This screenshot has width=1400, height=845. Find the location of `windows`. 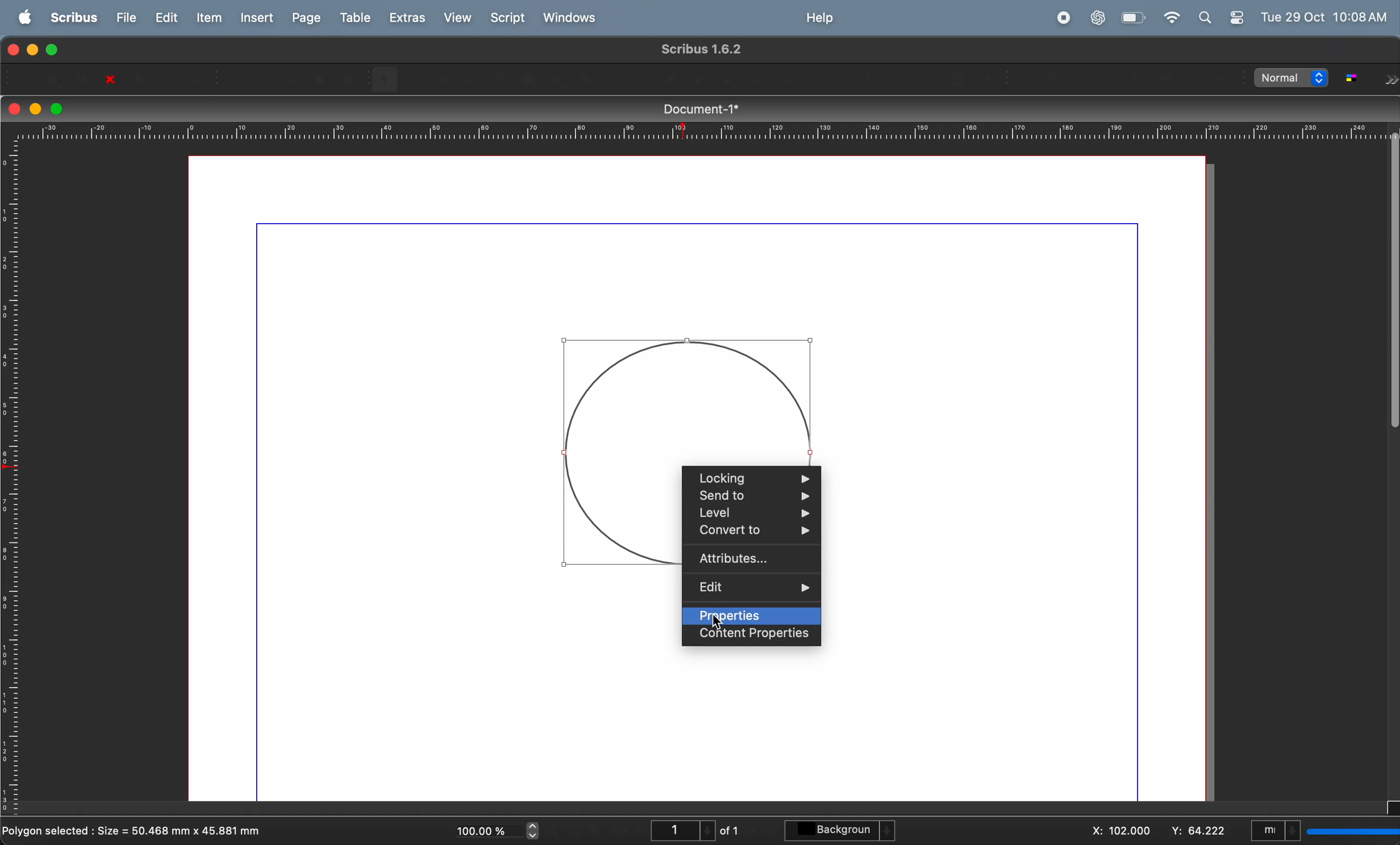

windows is located at coordinates (574, 18).